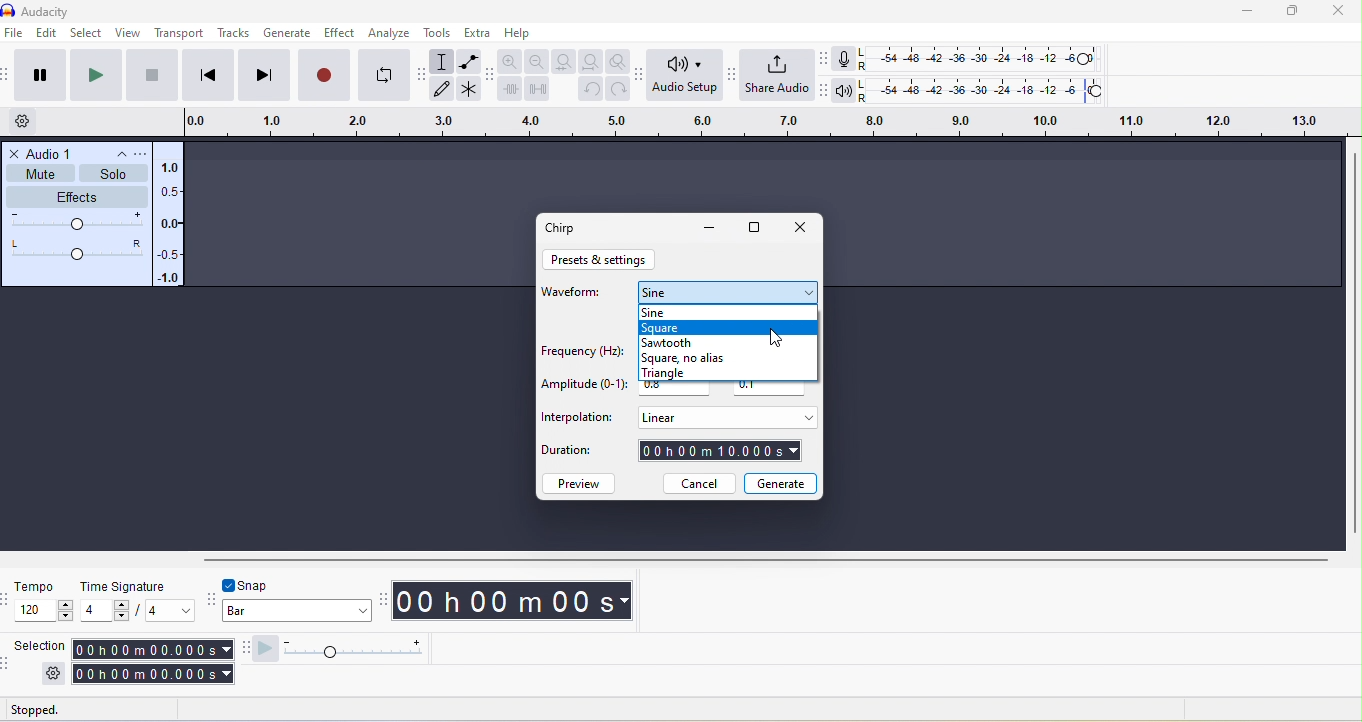  What do you see at coordinates (205, 76) in the screenshot?
I see `skip to start` at bounding box center [205, 76].